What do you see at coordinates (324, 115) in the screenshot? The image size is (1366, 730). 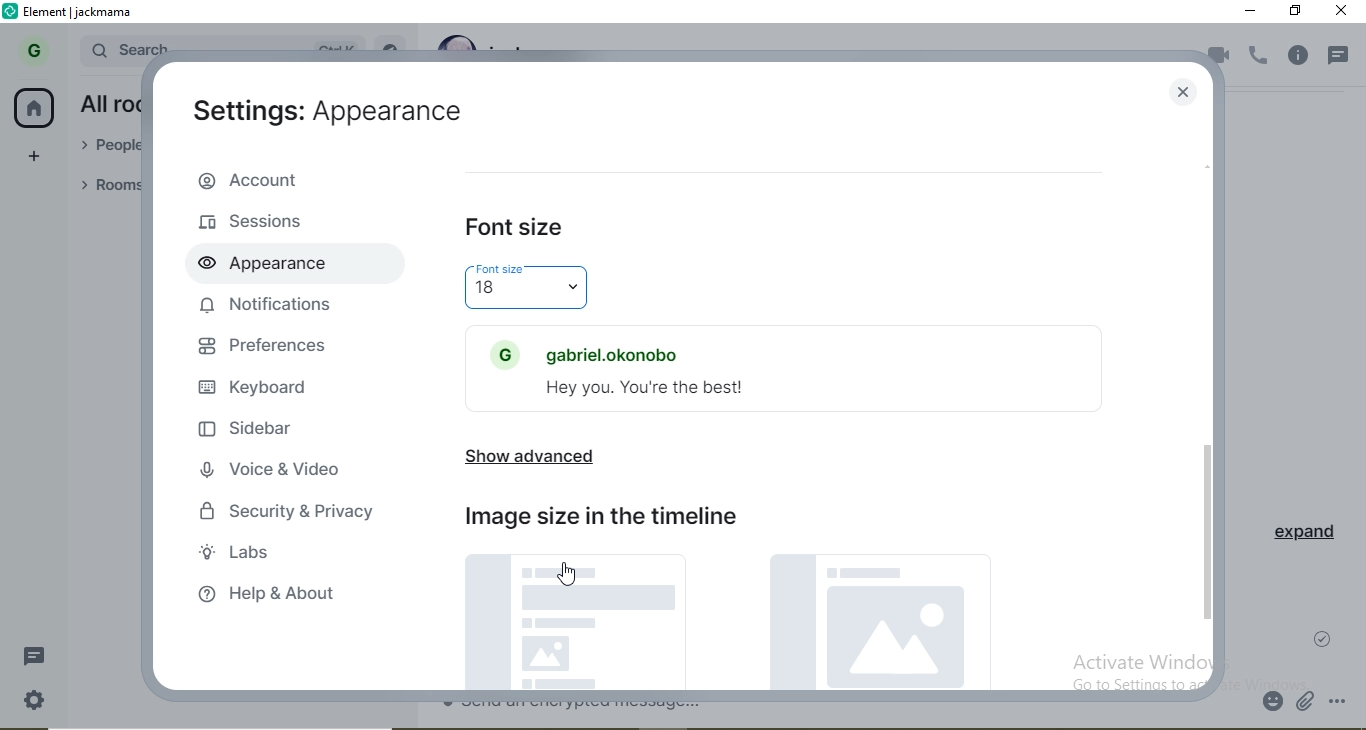 I see `aettings appearance` at bounding box center [324, 115].